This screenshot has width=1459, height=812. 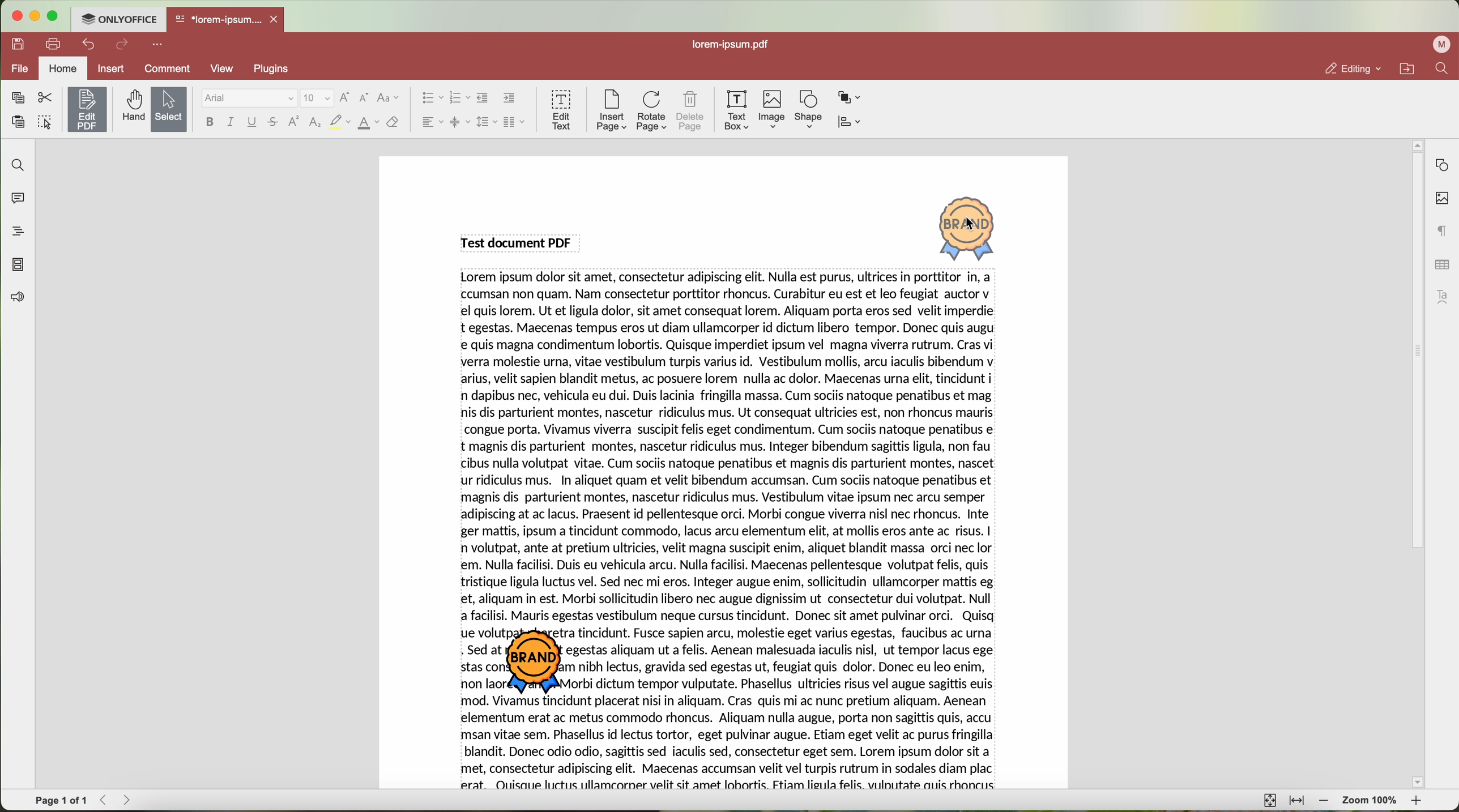 What do you see at coordinates (226, 69) in the screenshot?
I see `view` at bounding box center [226, 69].